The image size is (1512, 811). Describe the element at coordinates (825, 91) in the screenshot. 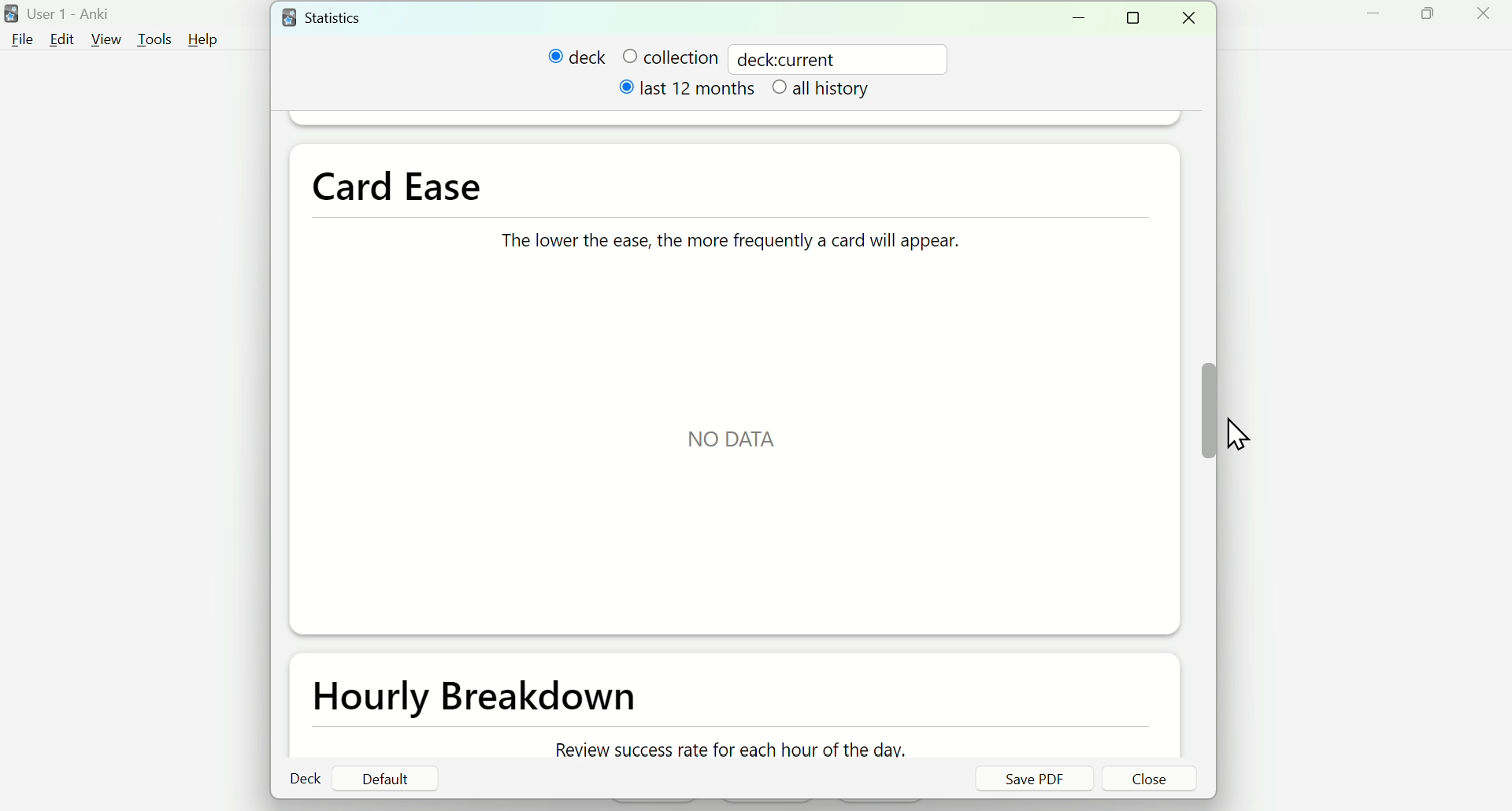

I see `all history` at that location.